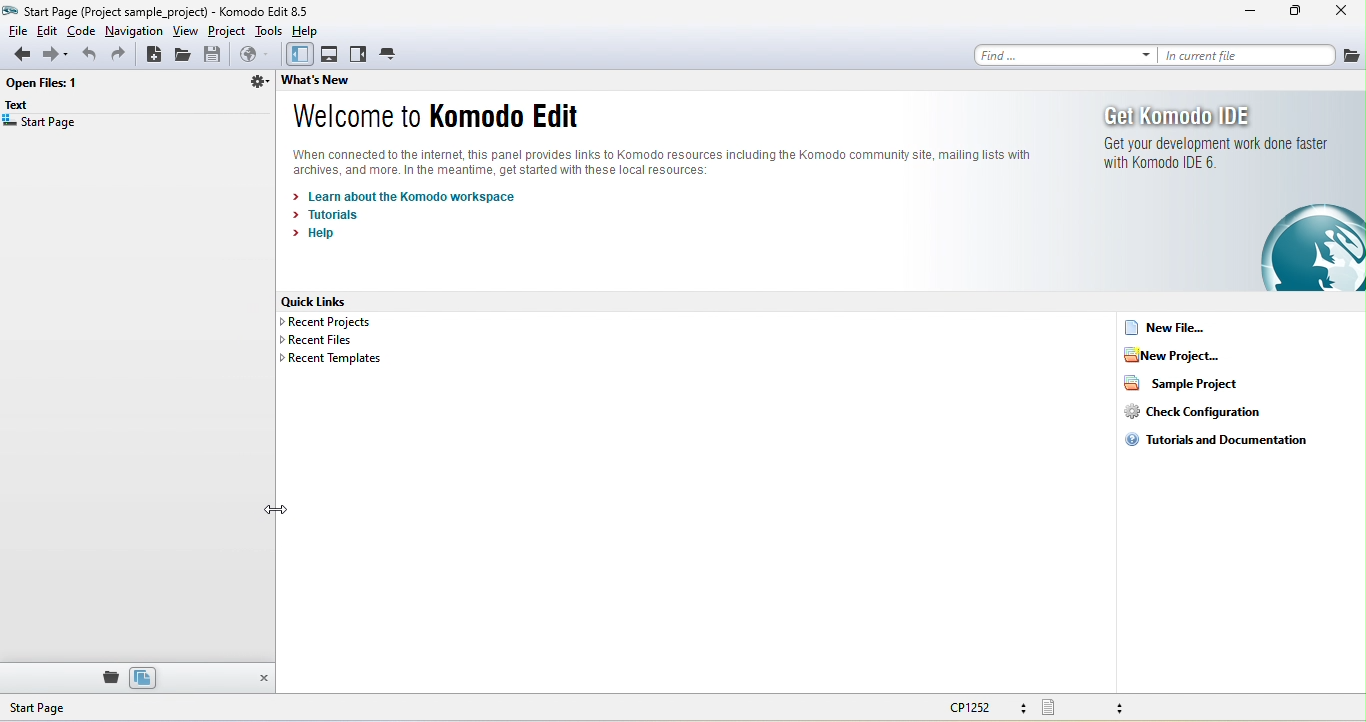 This screenshot has width=1366, height=722. Describe the element at coordinates (1097, 707) in the screenshot. I see `file type` at that location.